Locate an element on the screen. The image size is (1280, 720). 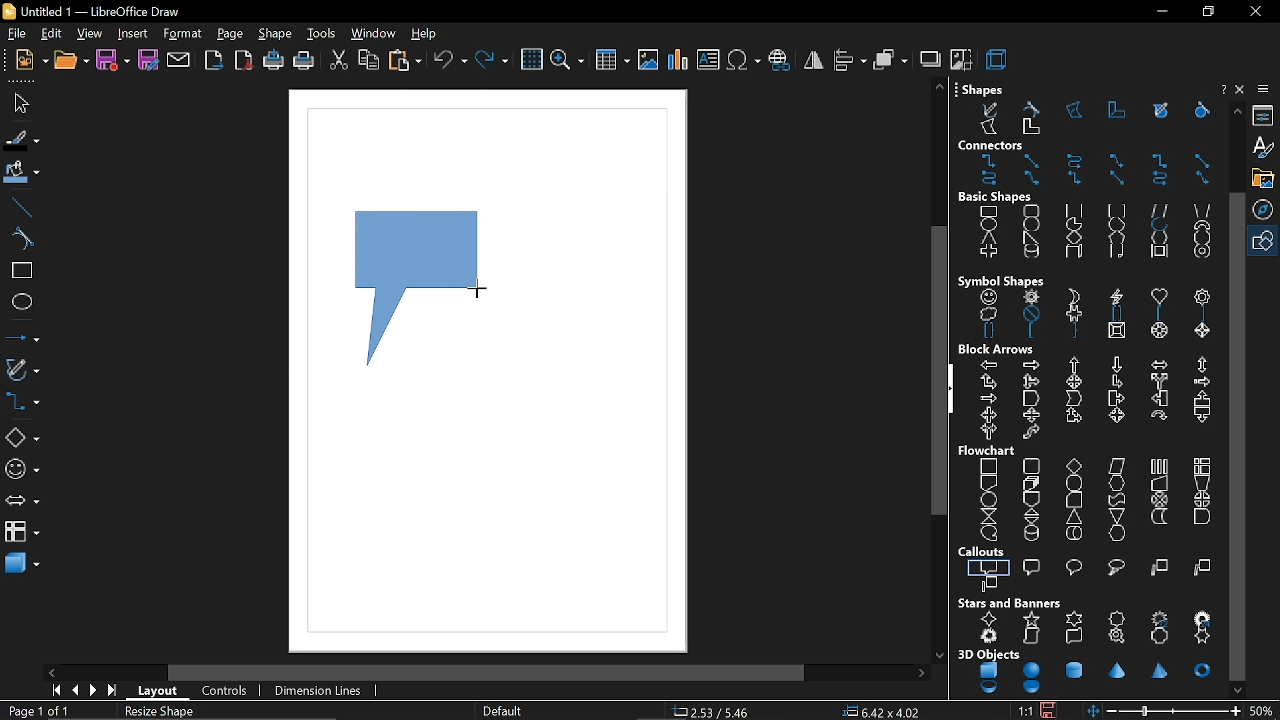
stars and banners is located at coordinates (1011, 603).